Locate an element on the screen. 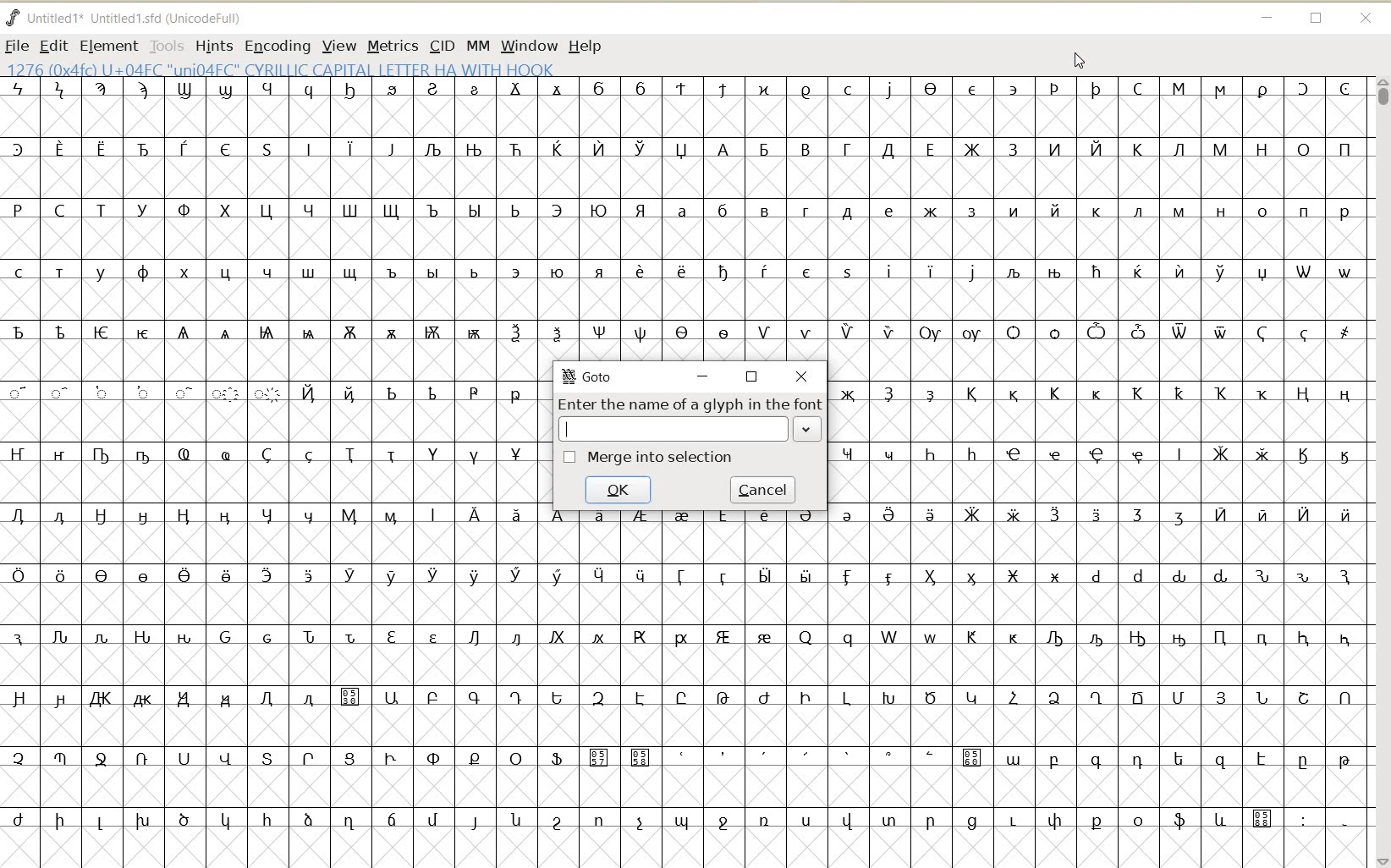  HINTS is located at coordinates (212, 47).